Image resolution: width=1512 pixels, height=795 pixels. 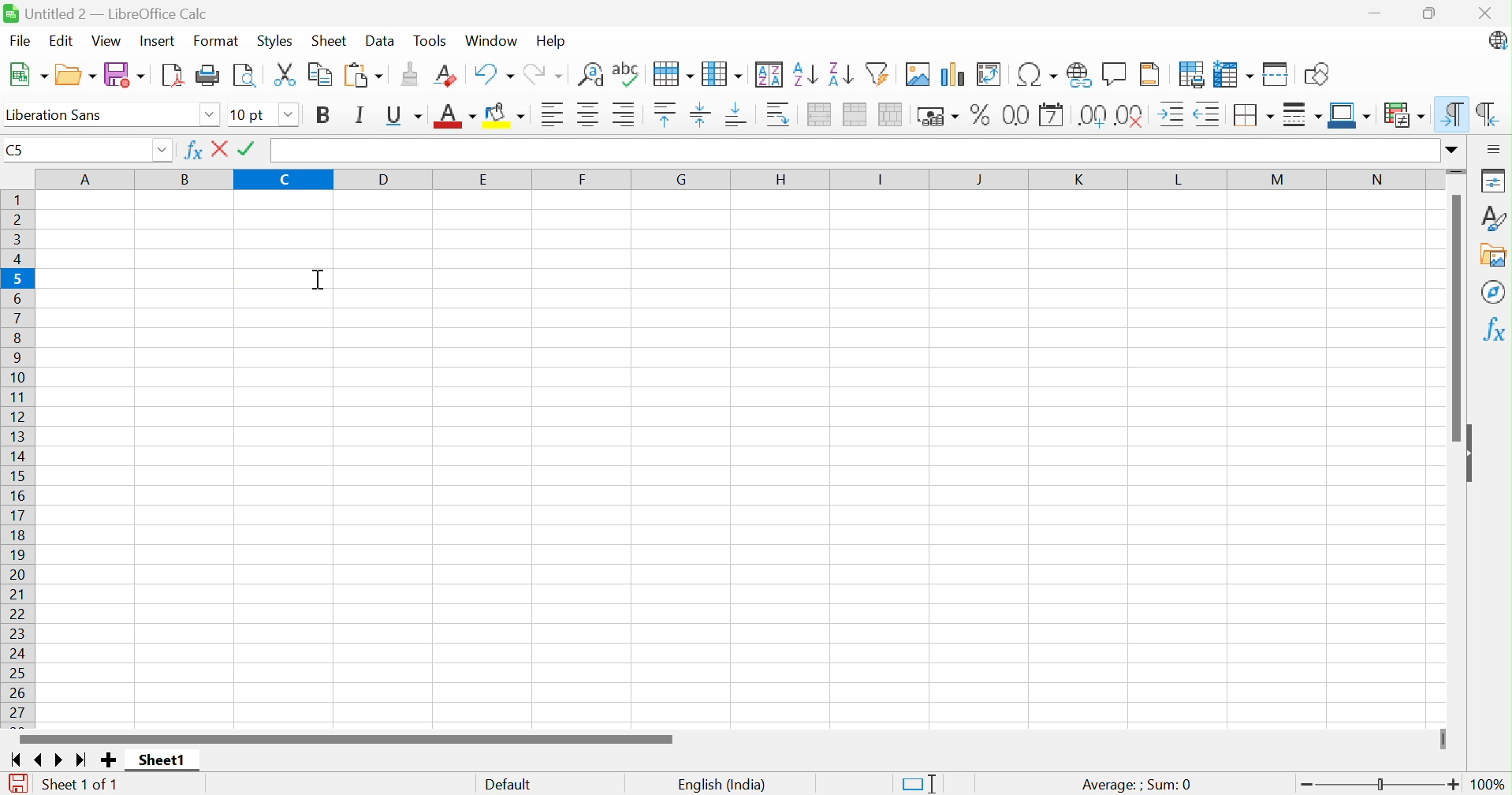 What do you see at coordinates (1373, 15) in the screenshot?
I see `Minimize` at bounding box center [1373, 15].